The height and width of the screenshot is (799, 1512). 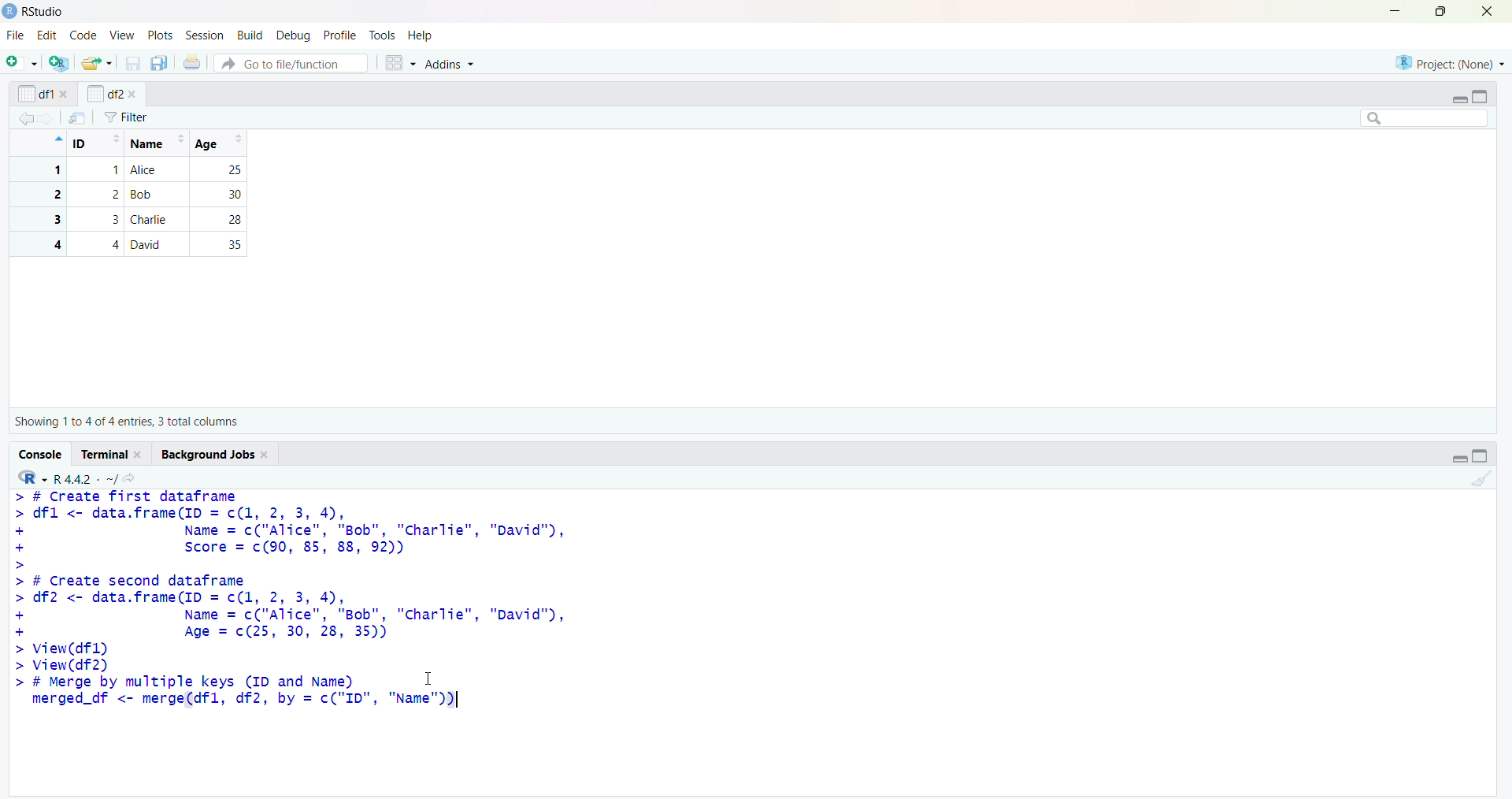 I want to click on view, so click(x=123, y=36).